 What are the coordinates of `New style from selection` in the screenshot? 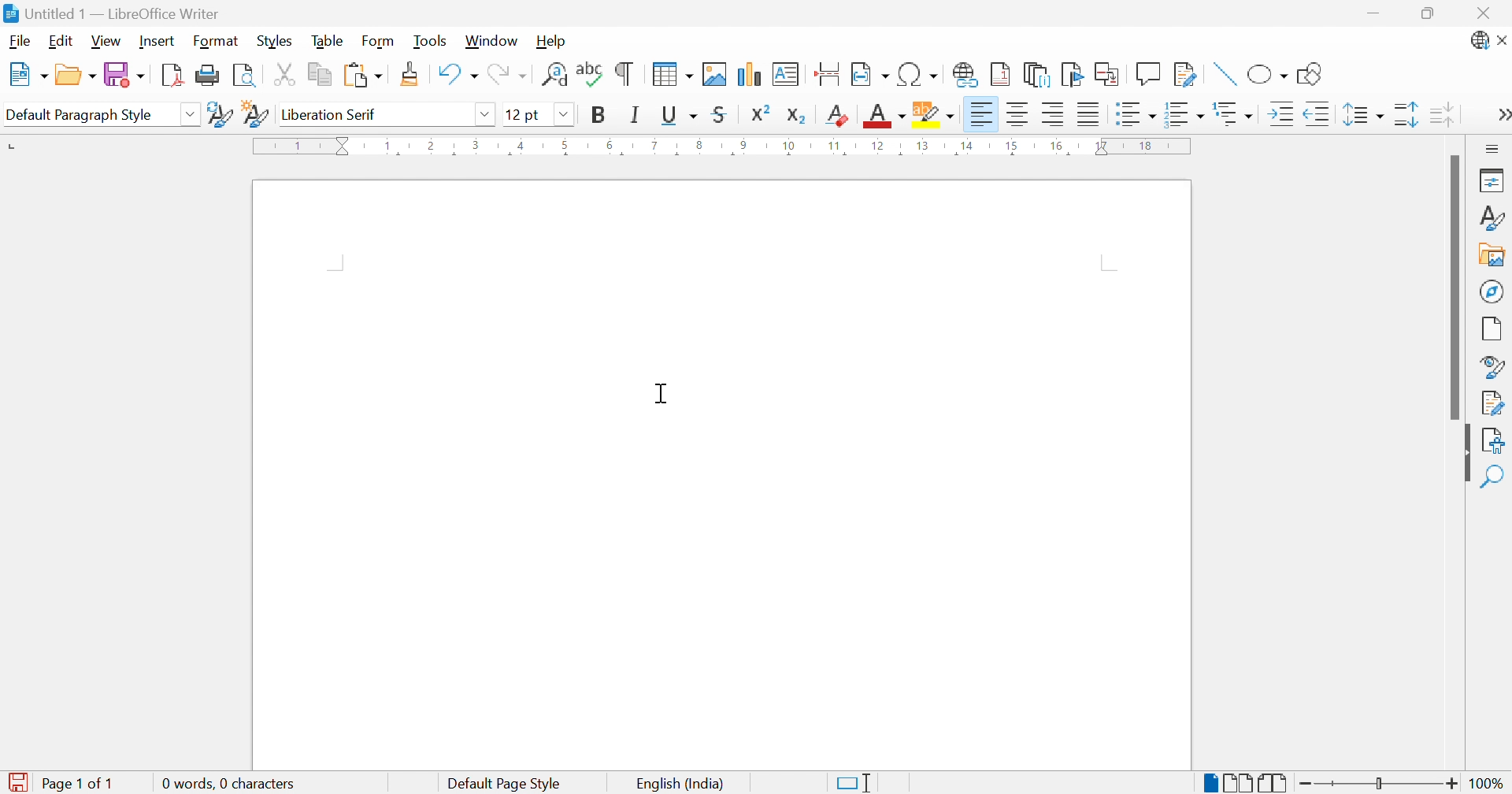 It's located at (258, 116).